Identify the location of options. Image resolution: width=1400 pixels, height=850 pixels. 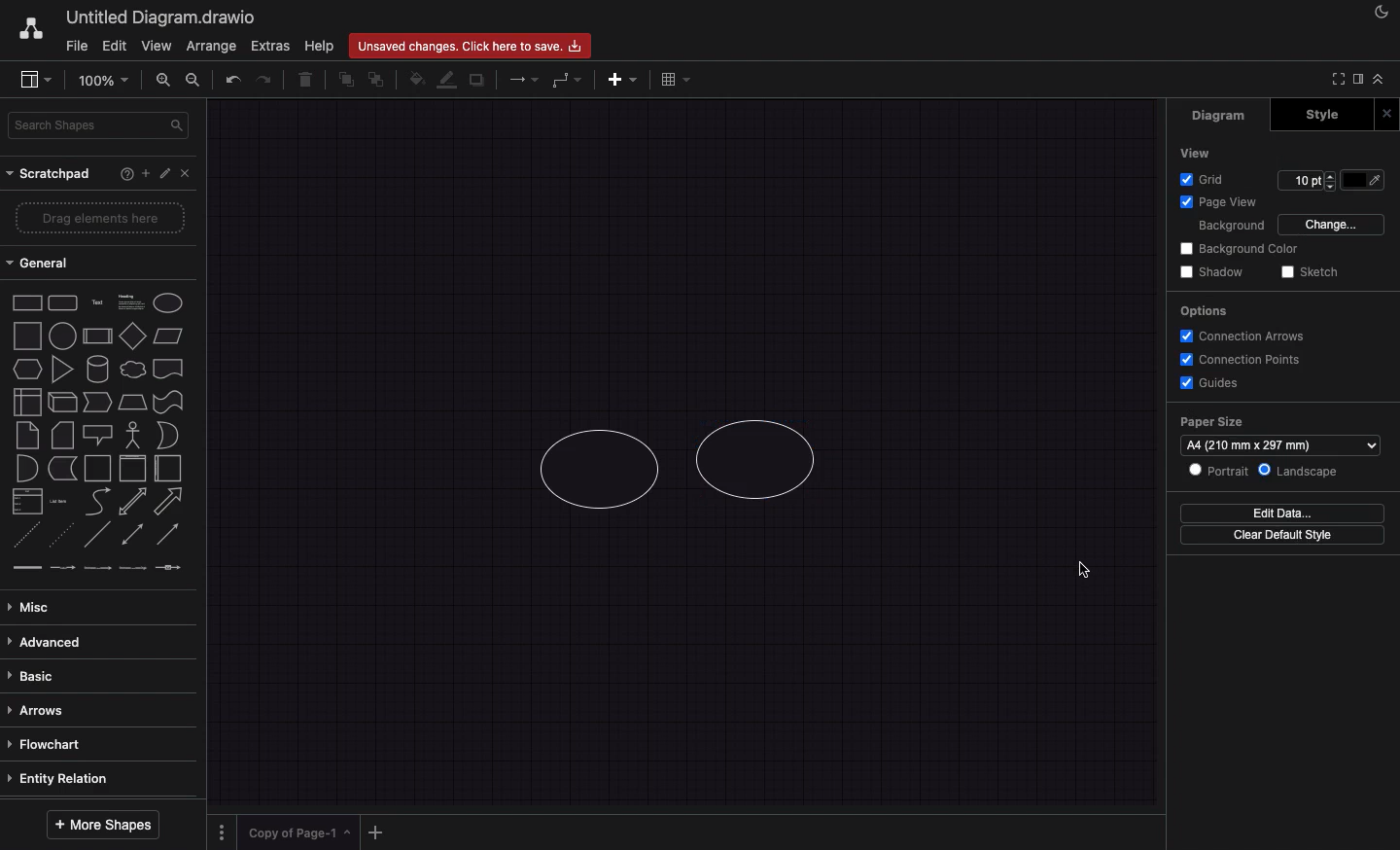
(221, 832).